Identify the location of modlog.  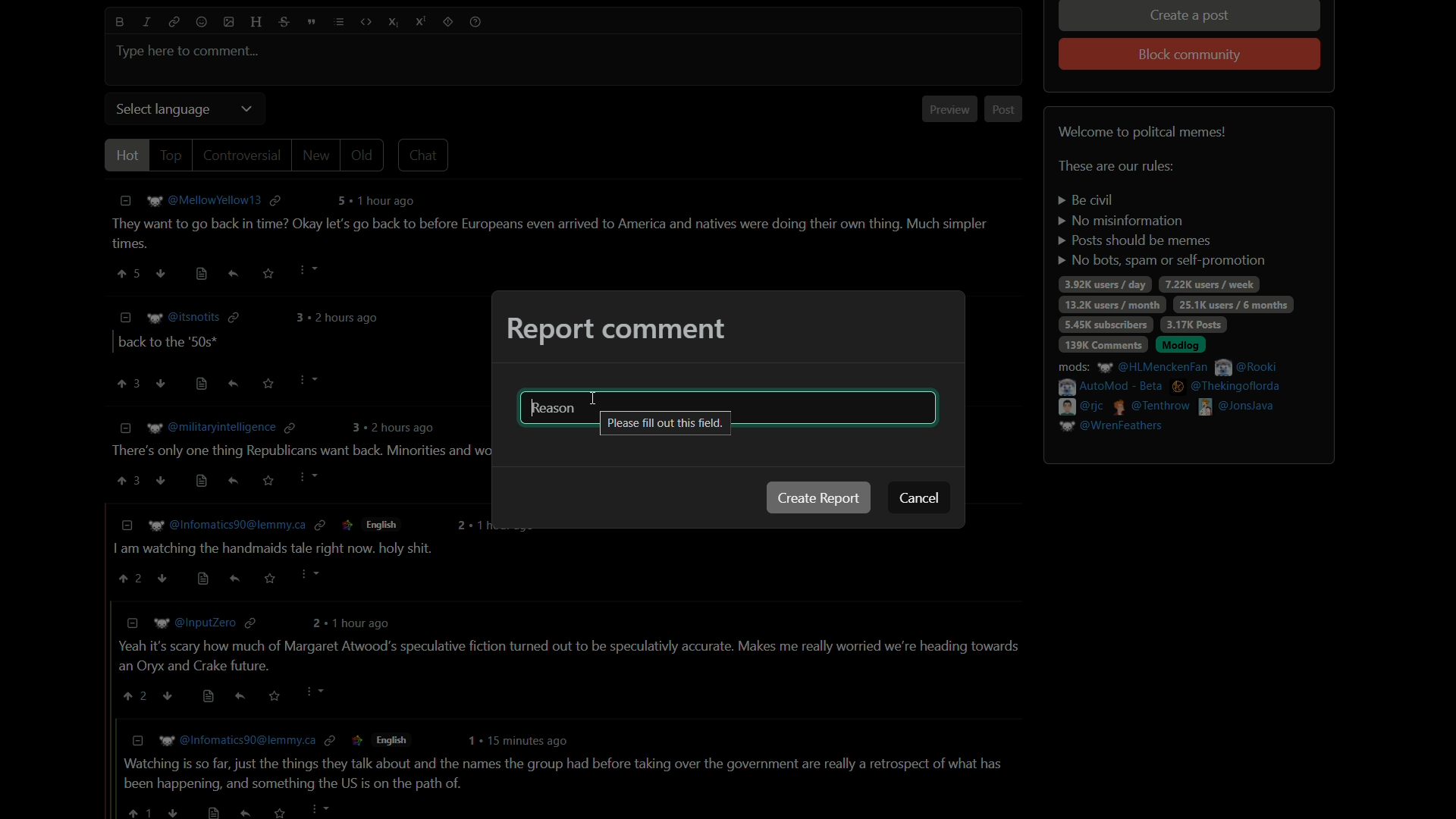
(1181, 347).